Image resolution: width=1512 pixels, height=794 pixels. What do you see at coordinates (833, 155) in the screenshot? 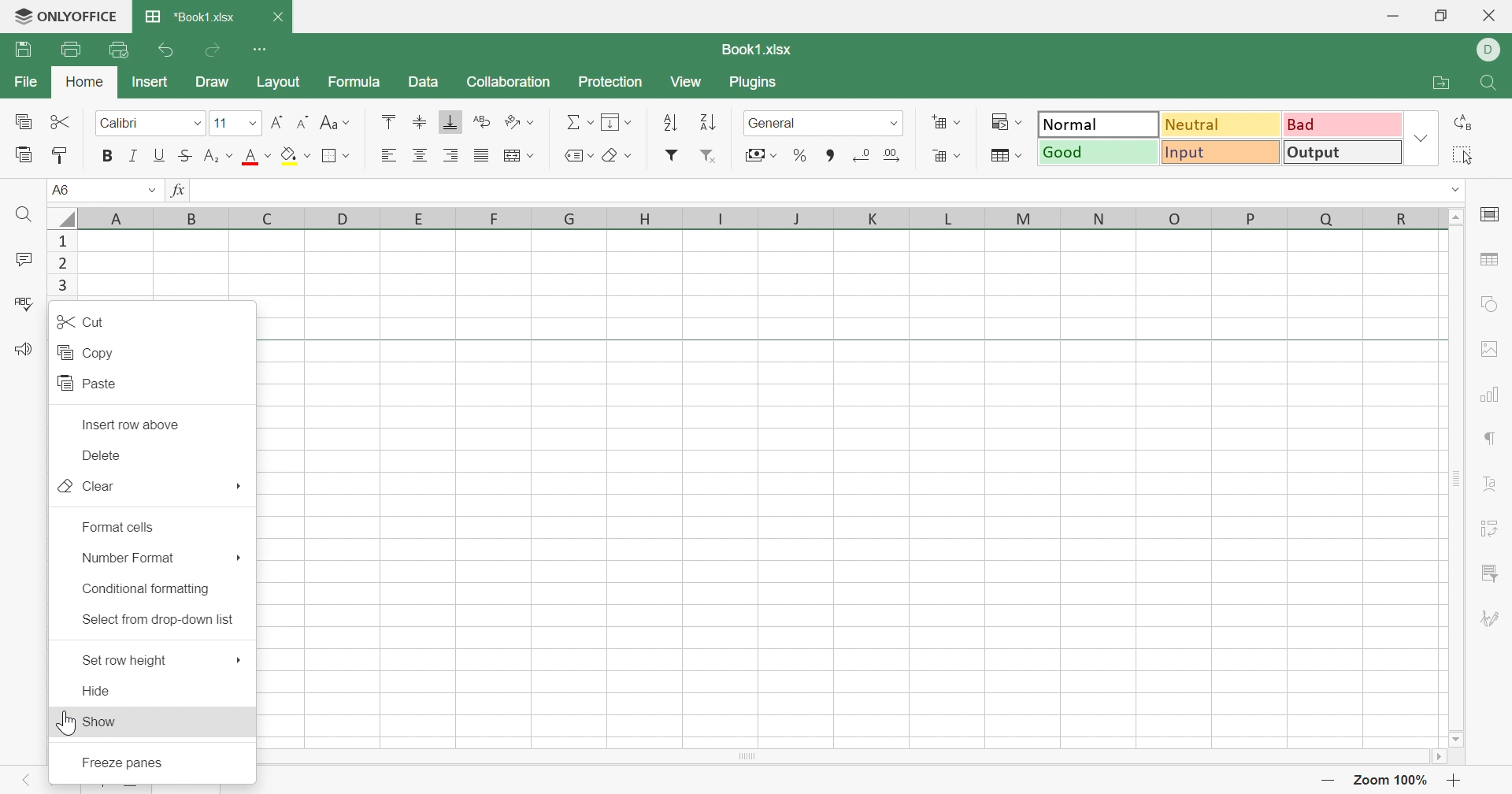
I see `Comma style` at bounding box center [833, 155].